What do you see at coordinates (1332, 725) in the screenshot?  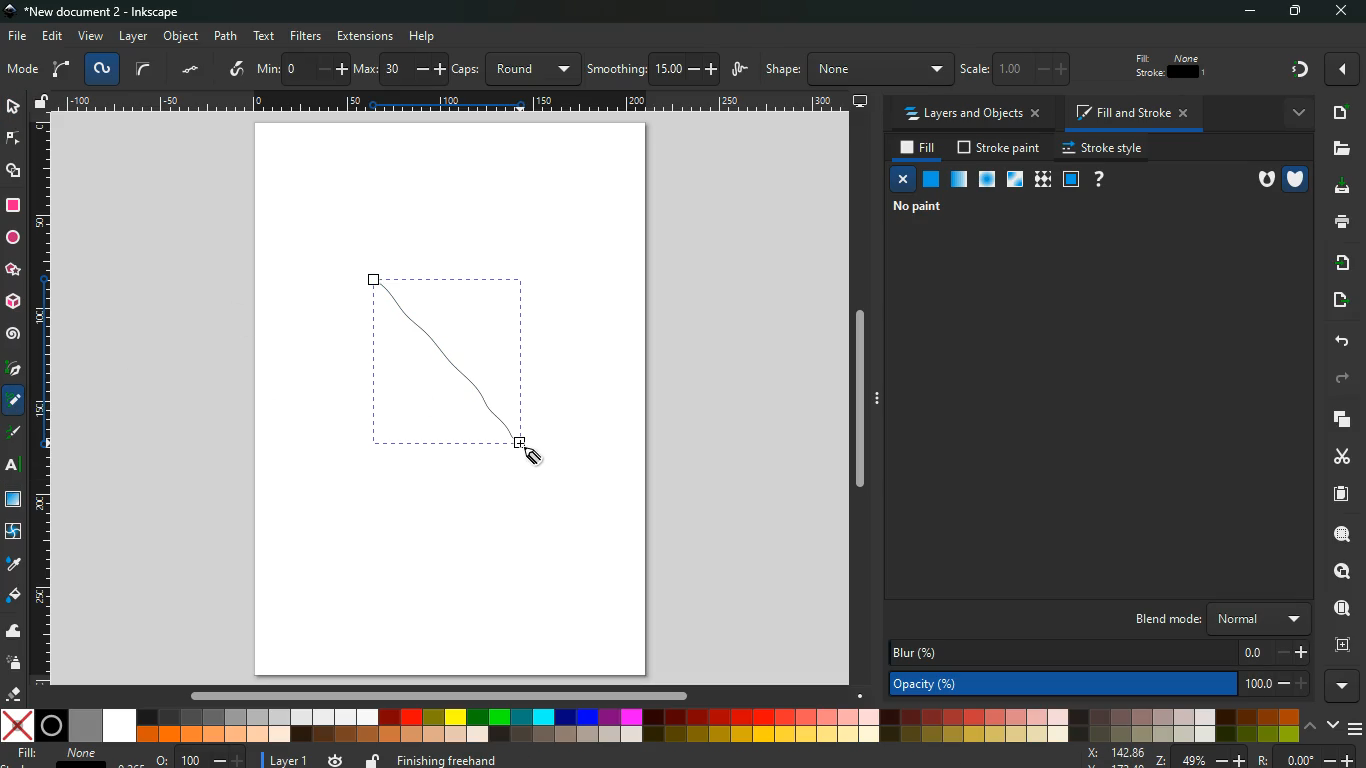 I see `down` at bounding box center [1332, 725].